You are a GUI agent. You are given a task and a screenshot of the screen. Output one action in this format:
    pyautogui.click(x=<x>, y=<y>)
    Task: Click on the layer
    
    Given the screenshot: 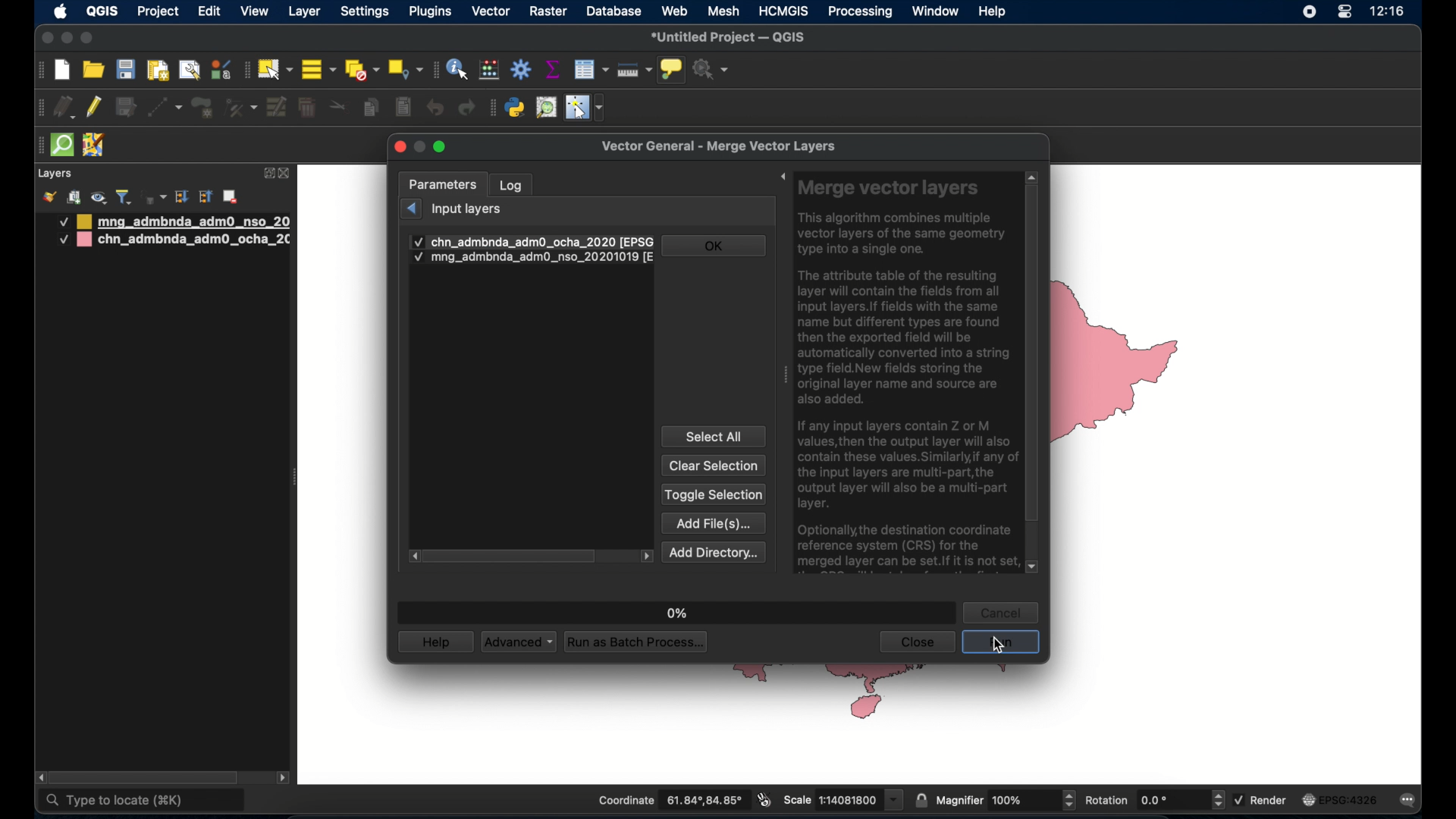 What is the action you would take?
    pyautogui.click(x=306, y=11)
    